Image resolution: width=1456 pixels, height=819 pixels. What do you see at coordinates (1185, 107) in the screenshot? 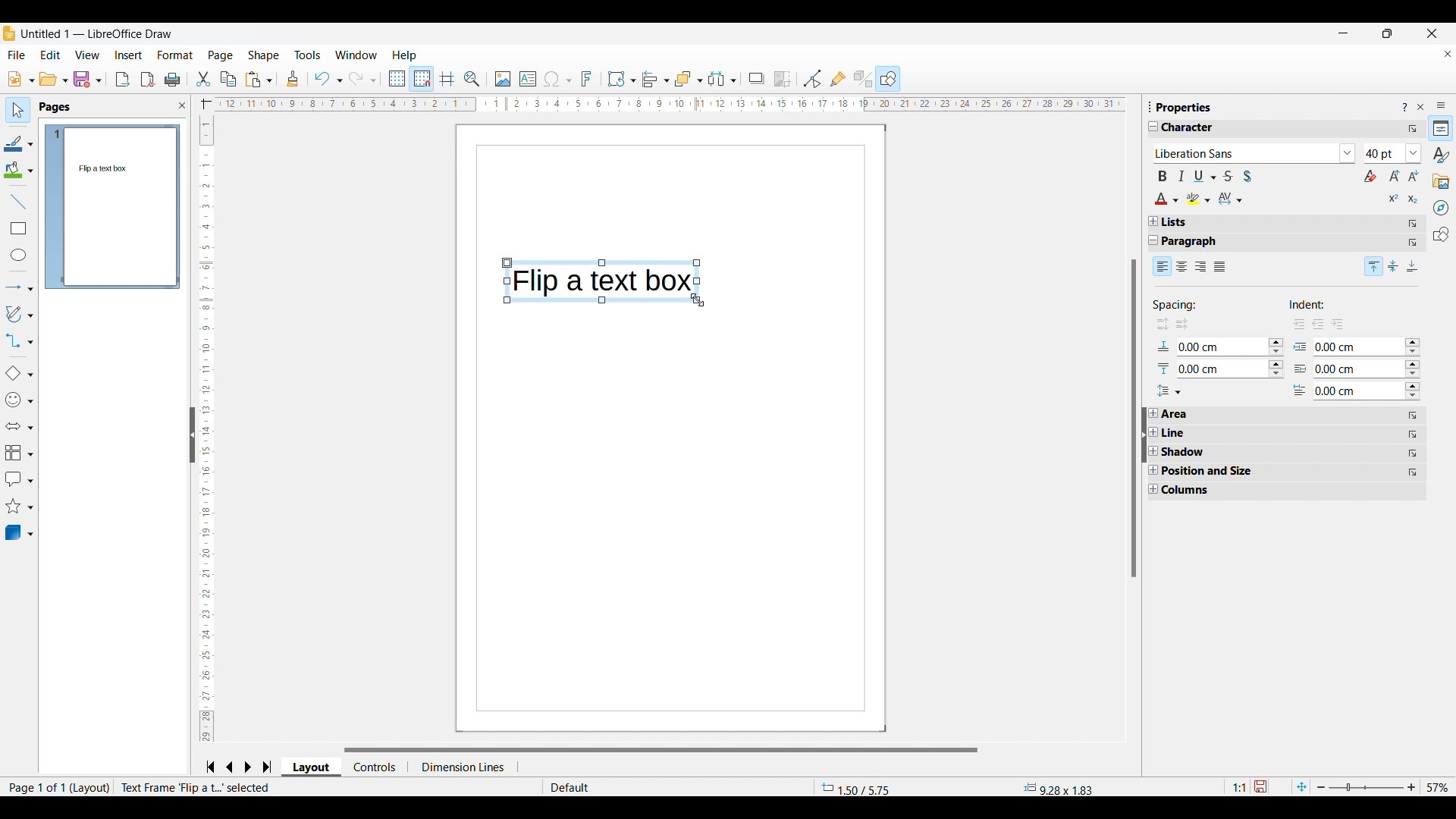
I see `properties` at bounding box center [1185, 107].